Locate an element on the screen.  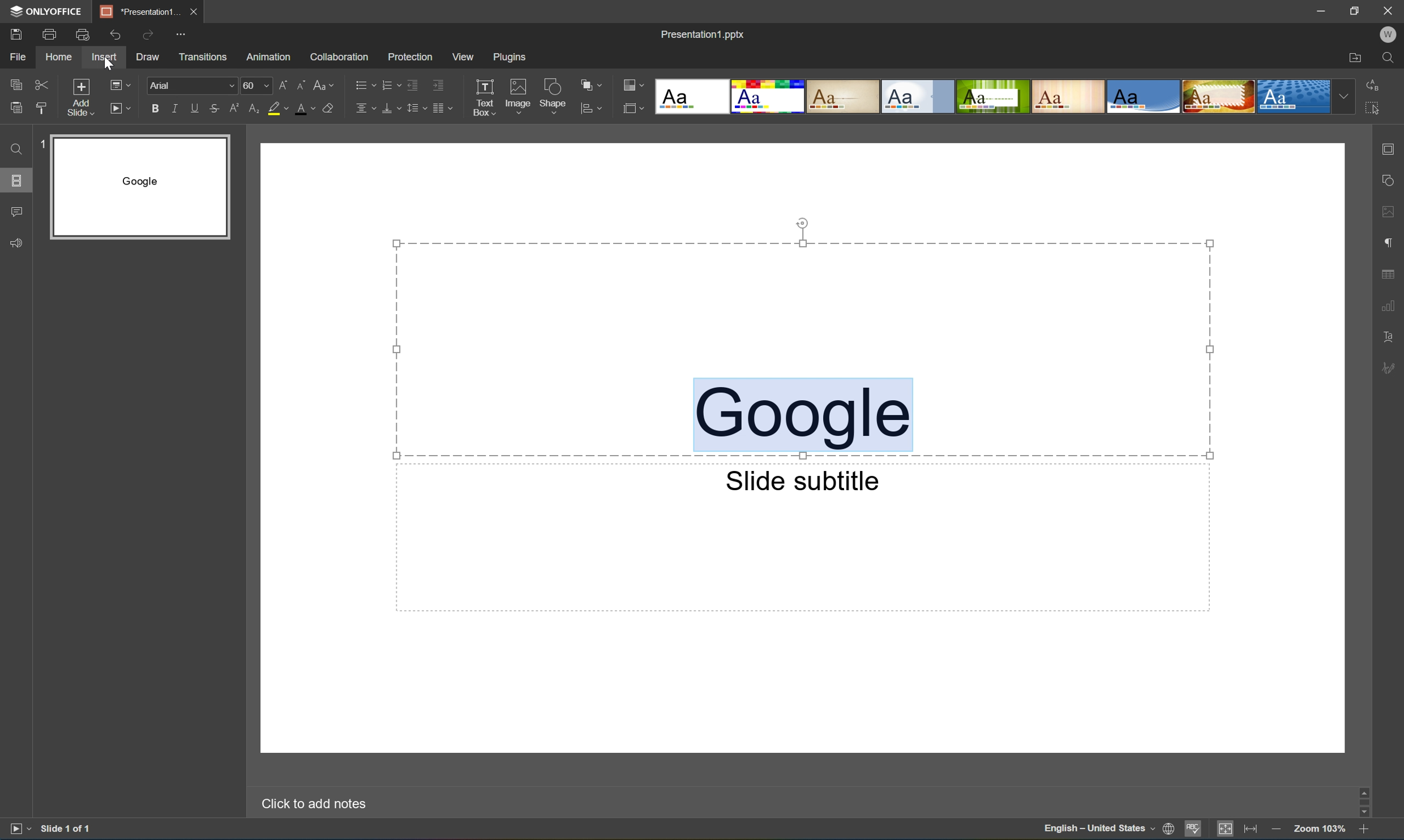
Customize Quick Access Toolbar is located at coordinates (181, 35).